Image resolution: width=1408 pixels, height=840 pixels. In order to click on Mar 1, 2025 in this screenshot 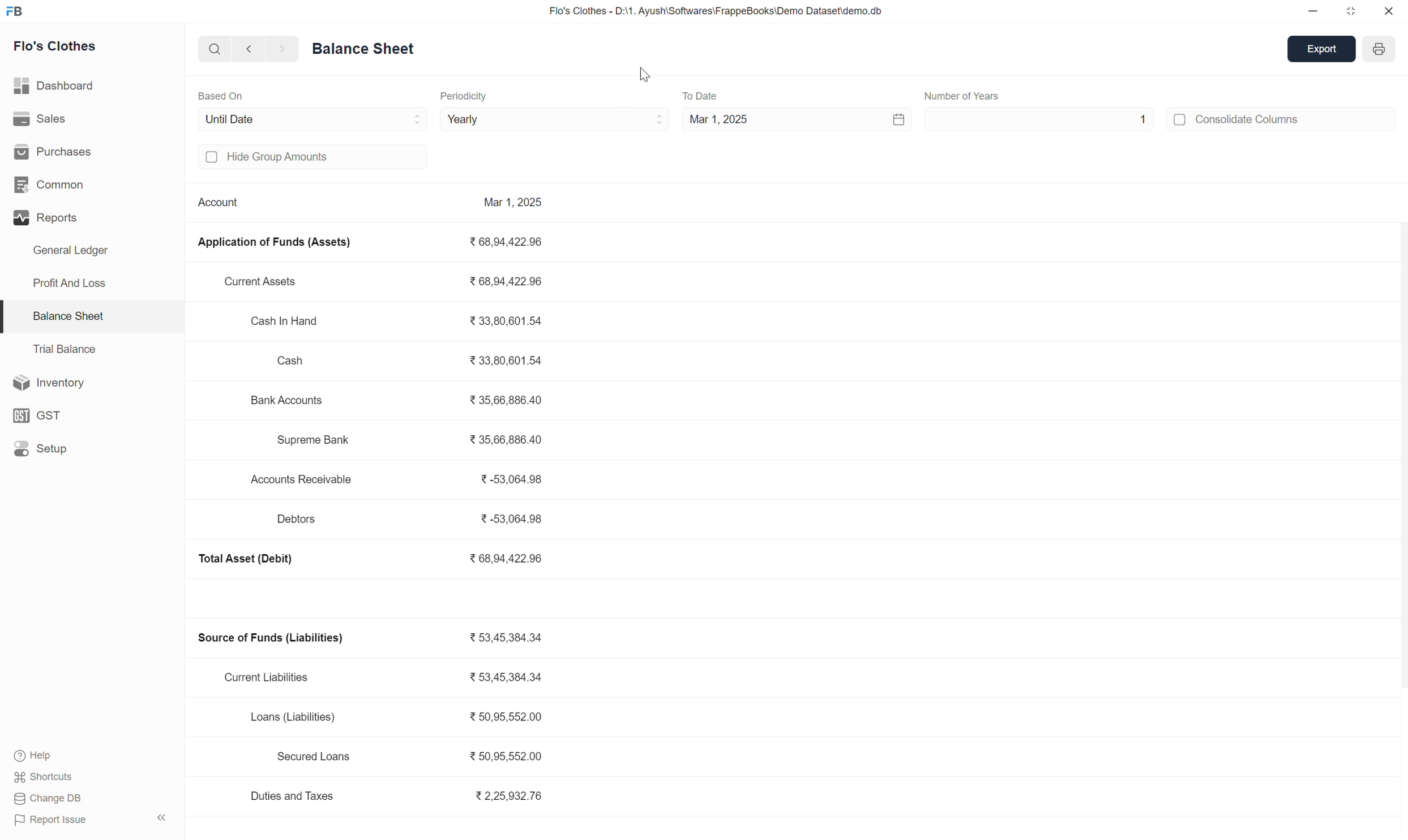, I will do `click(515, 200)`.